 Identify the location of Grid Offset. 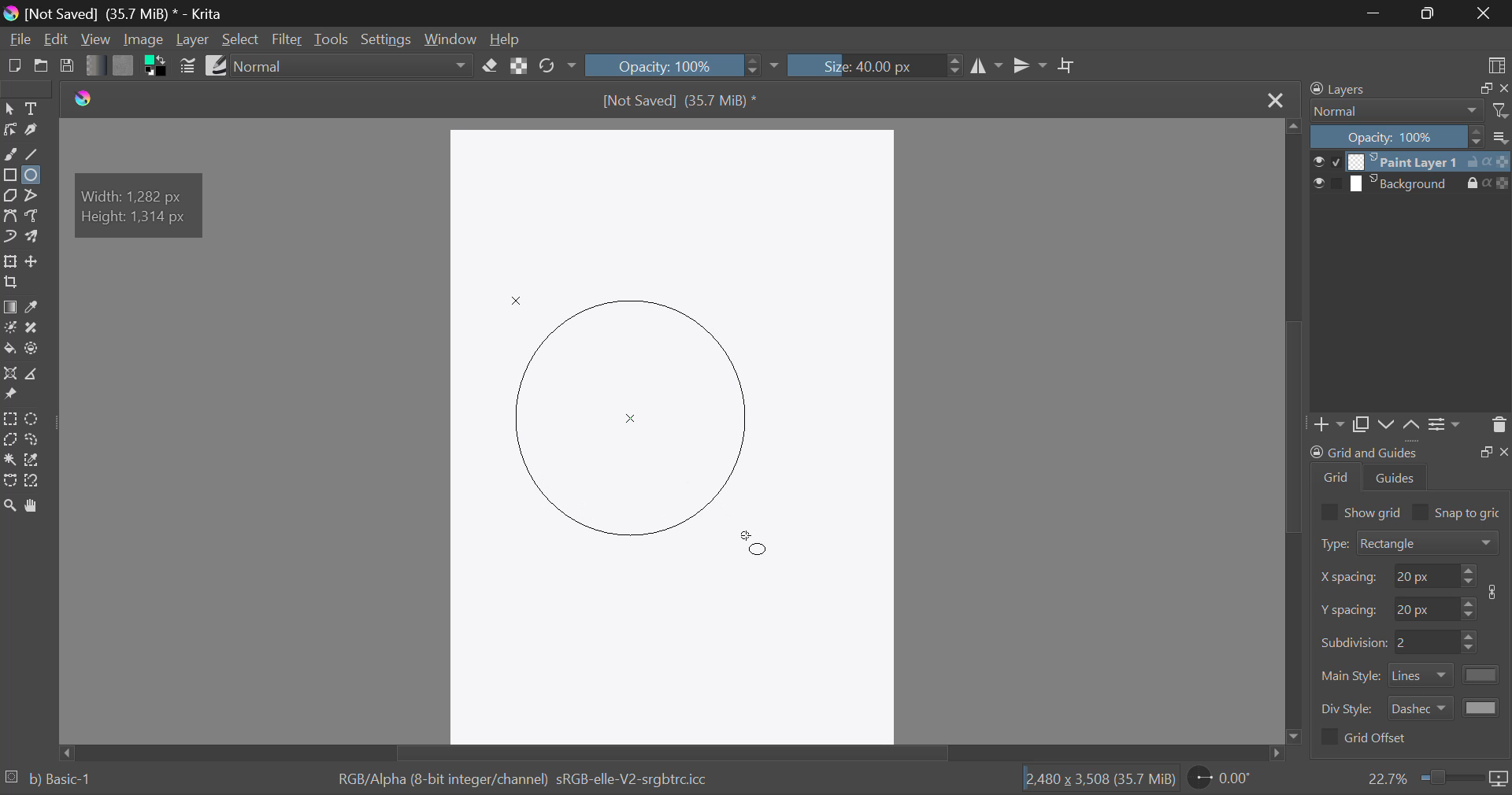
(1367, 739).